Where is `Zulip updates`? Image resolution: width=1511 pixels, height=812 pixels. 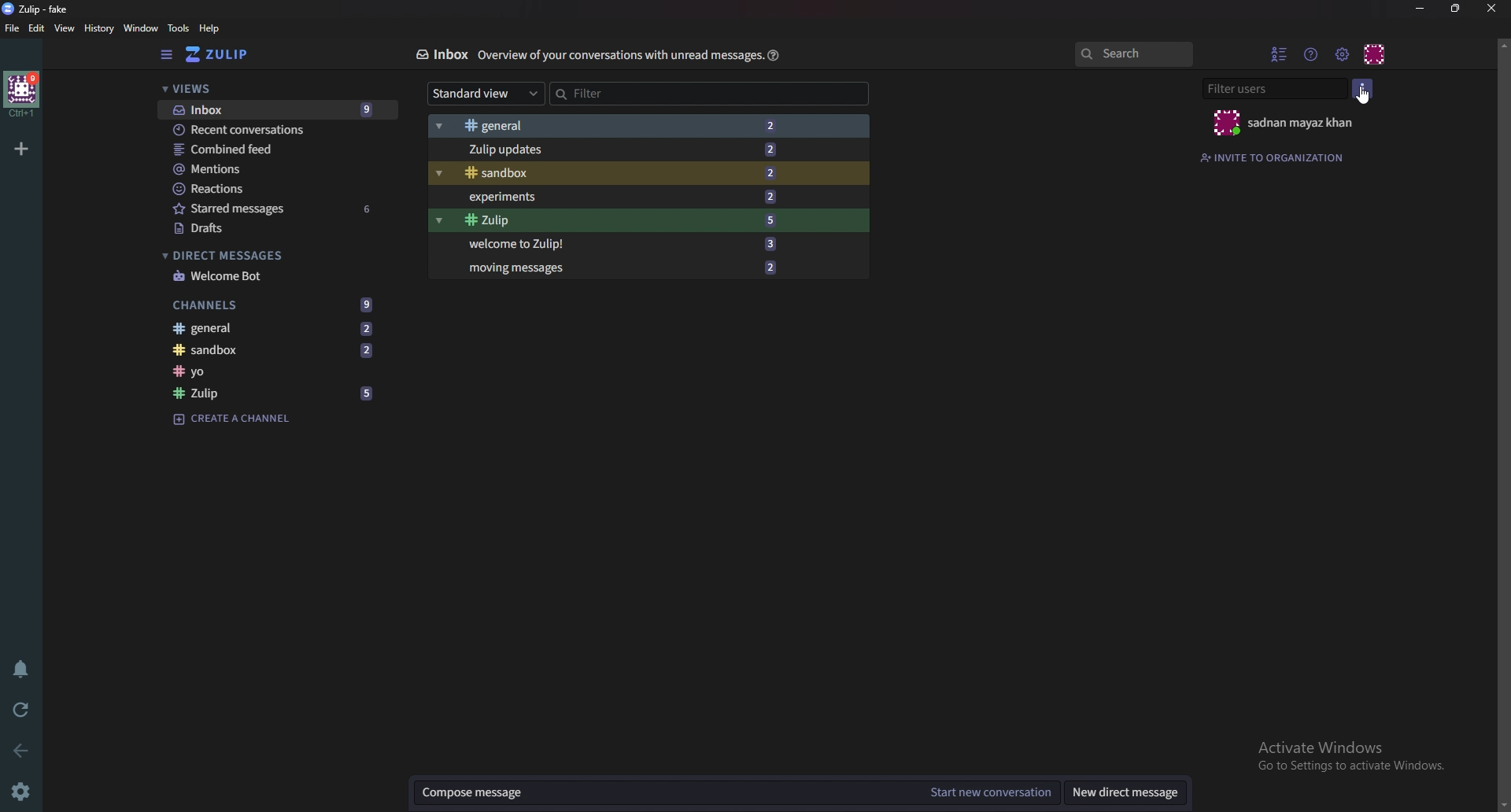
Zulip updates is located at coordinates (617, 150).